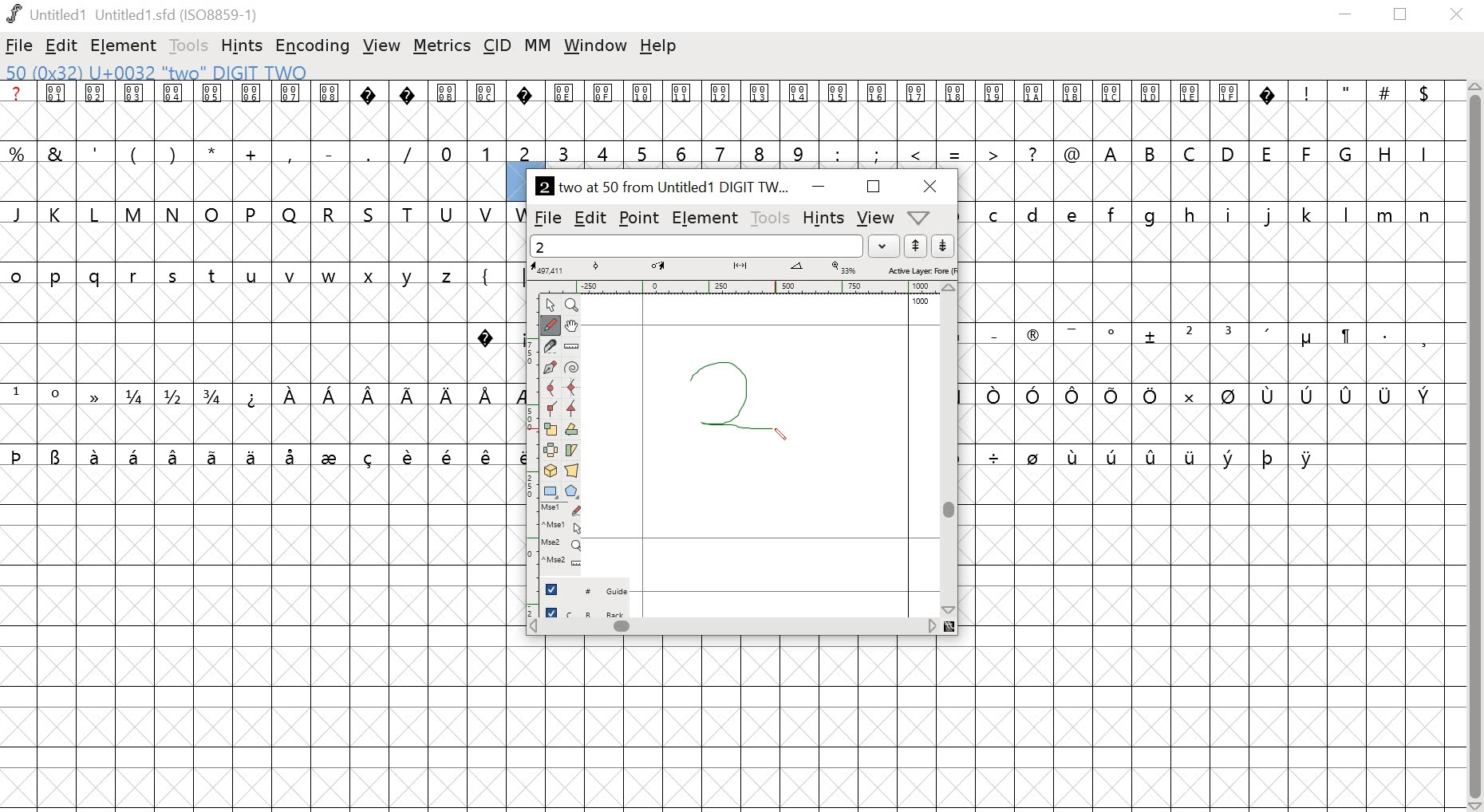 The width and height of the screenshot is (1484, 812). Describe the element at coordinates (823, 217) in the screenshot. I see `hints` at that location.